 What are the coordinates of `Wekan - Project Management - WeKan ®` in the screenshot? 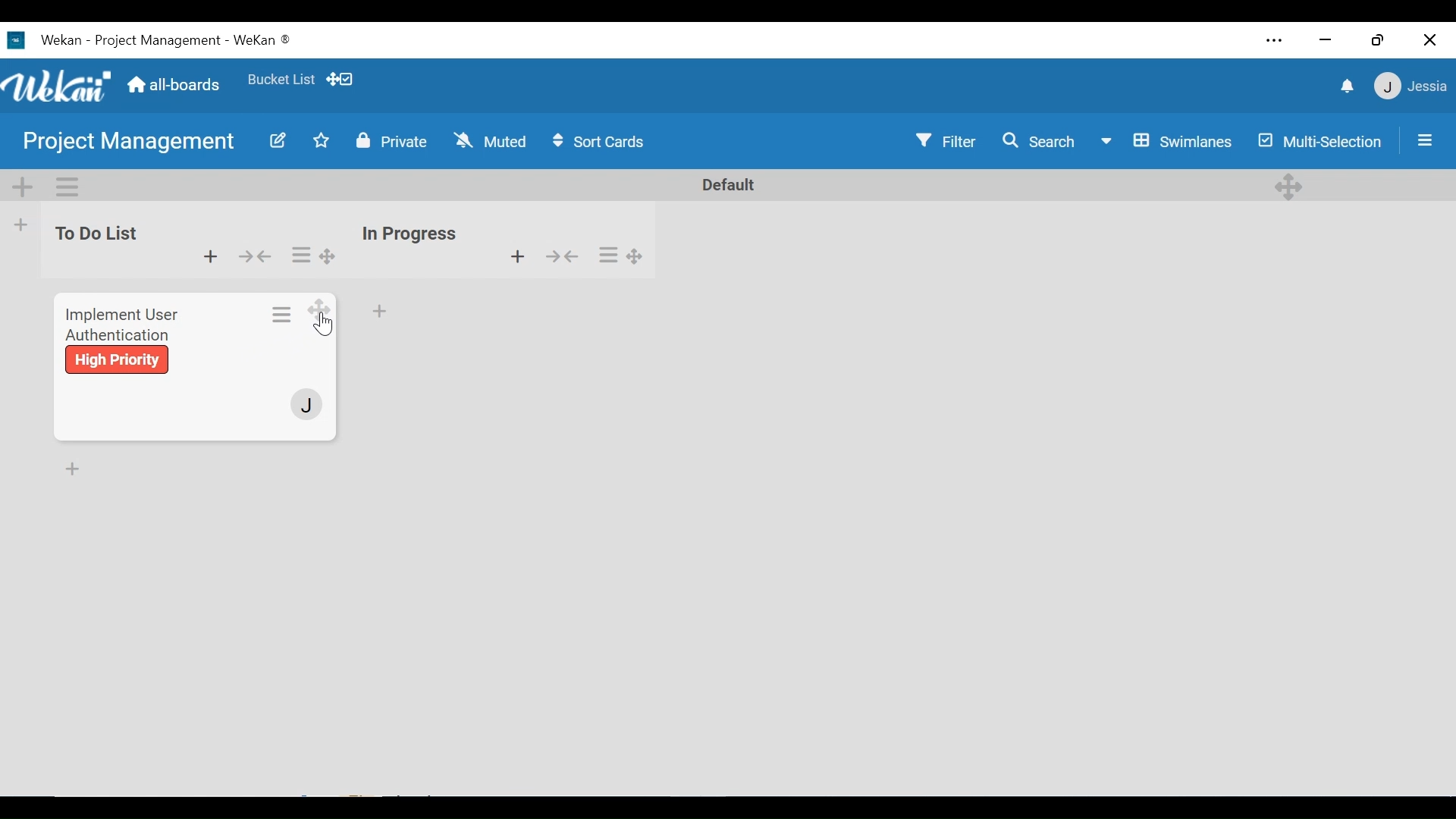 It's located at (163, 41).